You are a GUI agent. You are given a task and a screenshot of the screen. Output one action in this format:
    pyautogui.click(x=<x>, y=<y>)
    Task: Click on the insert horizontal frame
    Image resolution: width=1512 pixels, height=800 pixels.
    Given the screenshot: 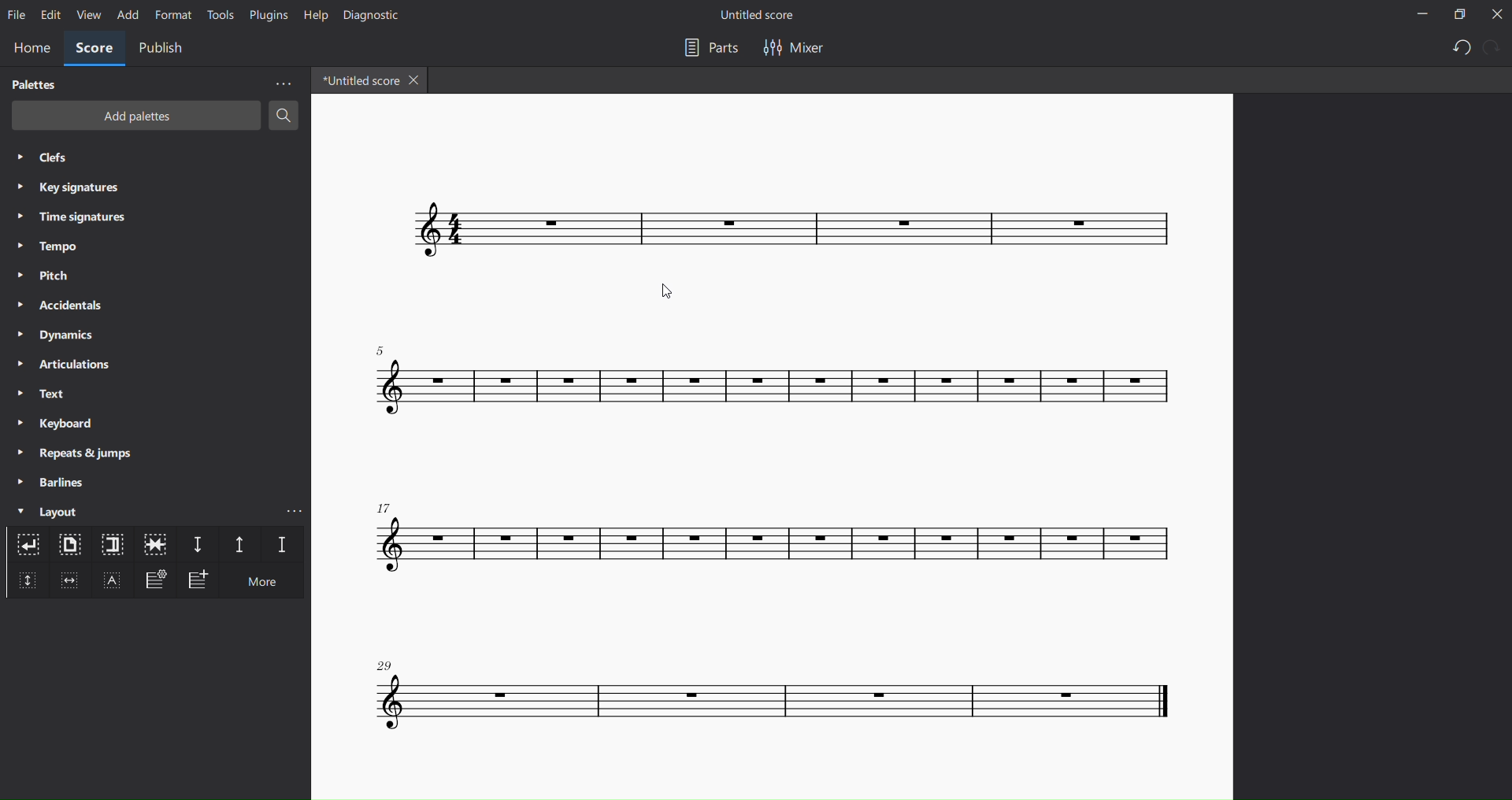 What is the action you would take?
    pyautogui.click(x=69, y=584)
    